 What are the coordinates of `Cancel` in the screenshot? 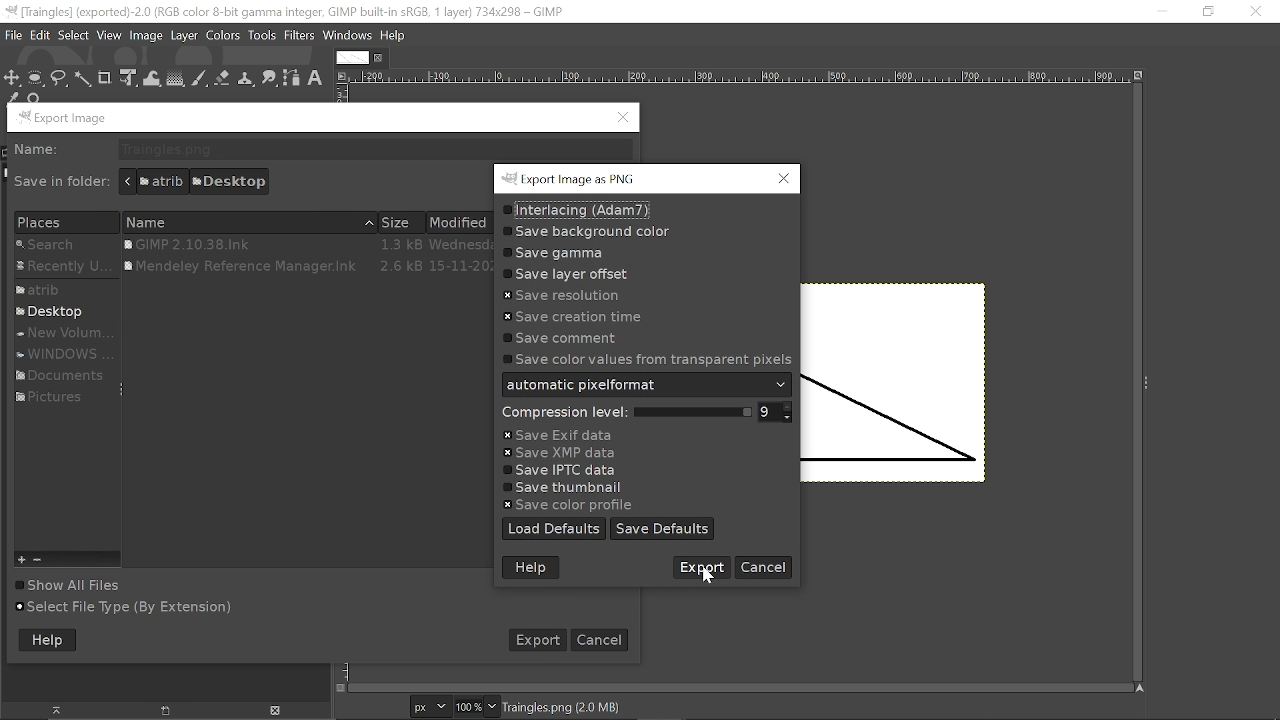 It's located at (764, 566).